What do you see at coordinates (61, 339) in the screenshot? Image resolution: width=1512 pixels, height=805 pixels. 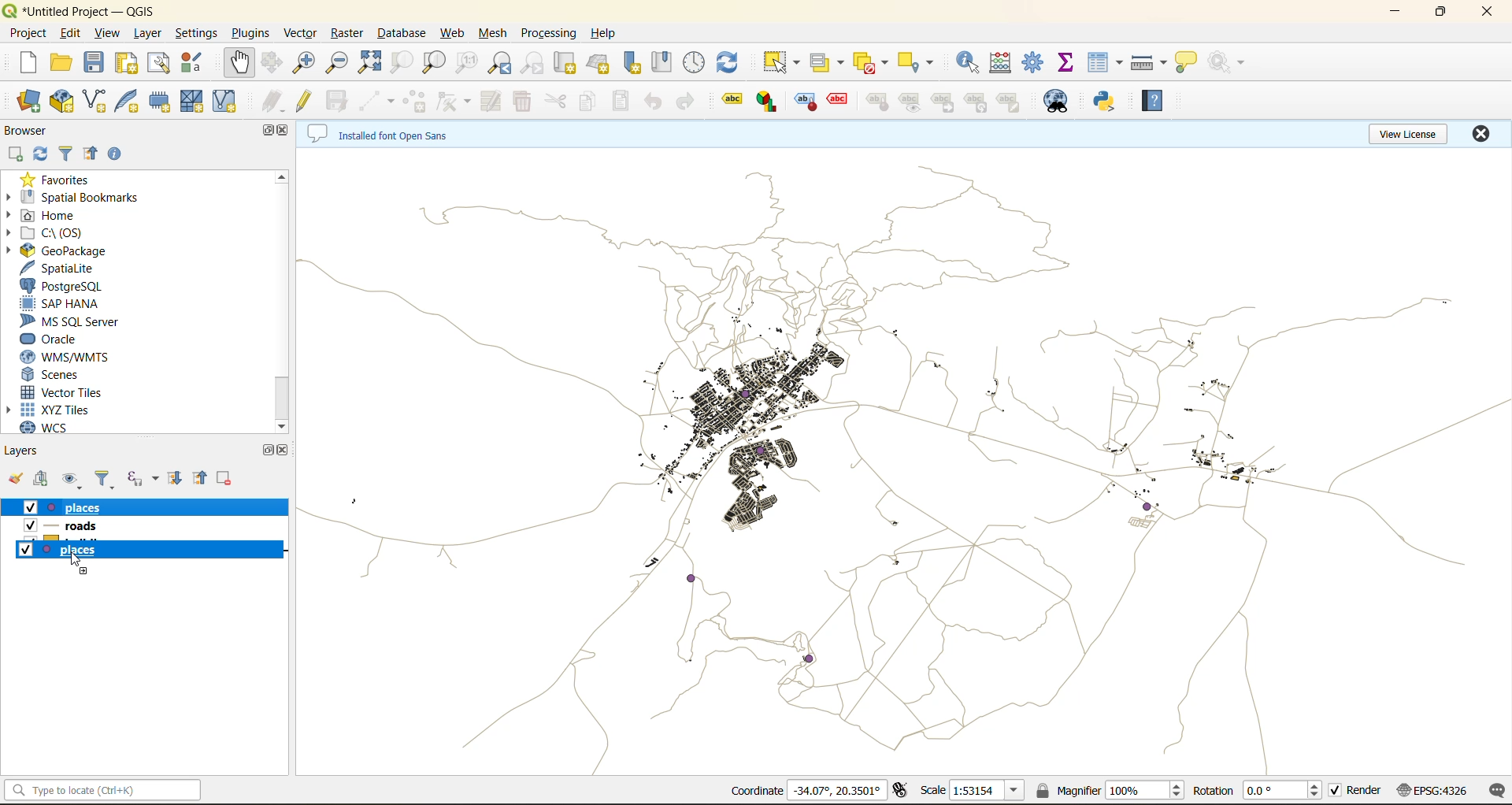 I see `oracle` at bounding box center [61, 339].